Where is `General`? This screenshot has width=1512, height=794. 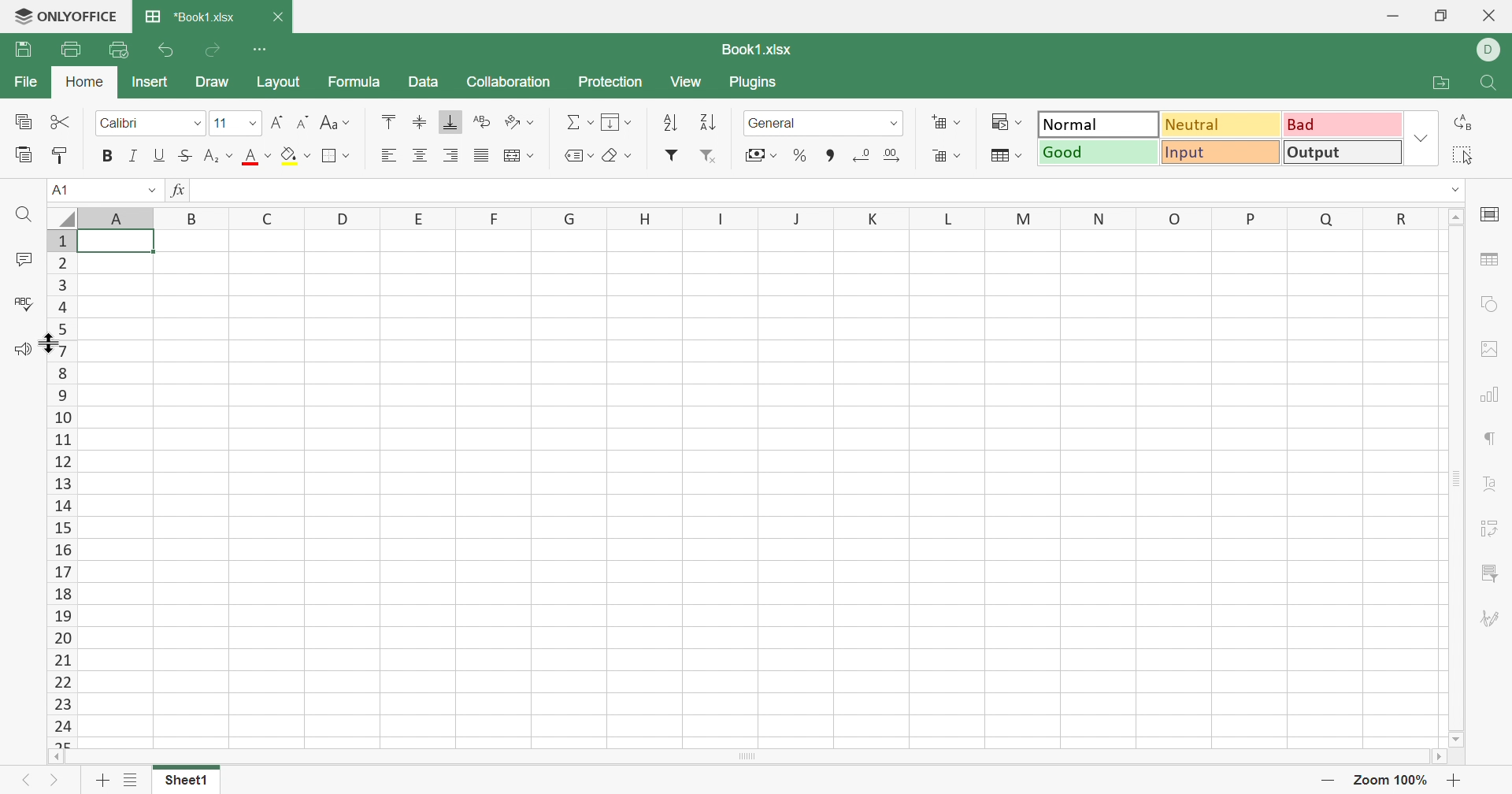
General is located at coordinates (773, 124).